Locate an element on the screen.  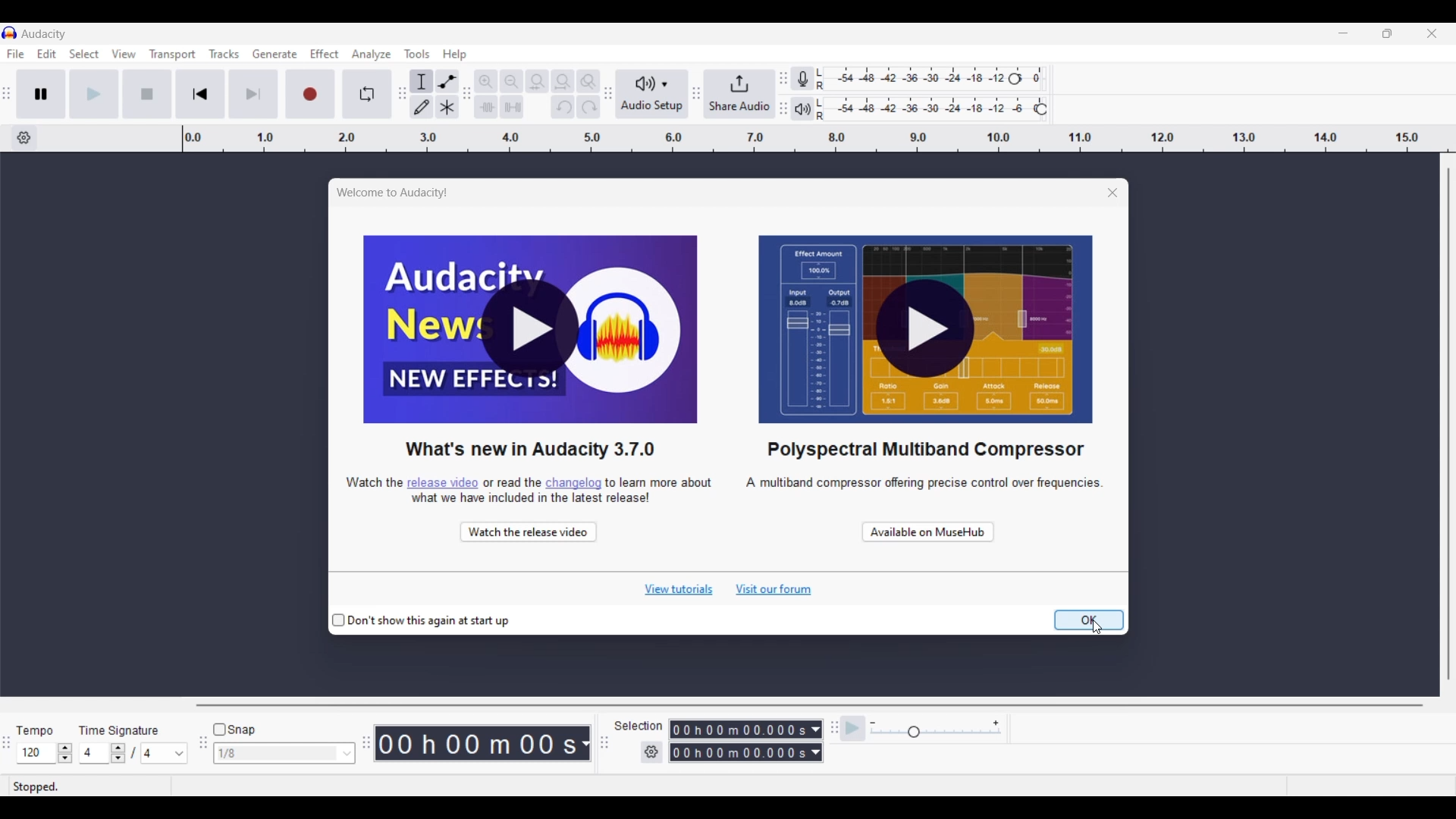
toolbar is located at coordinates (697, 93).